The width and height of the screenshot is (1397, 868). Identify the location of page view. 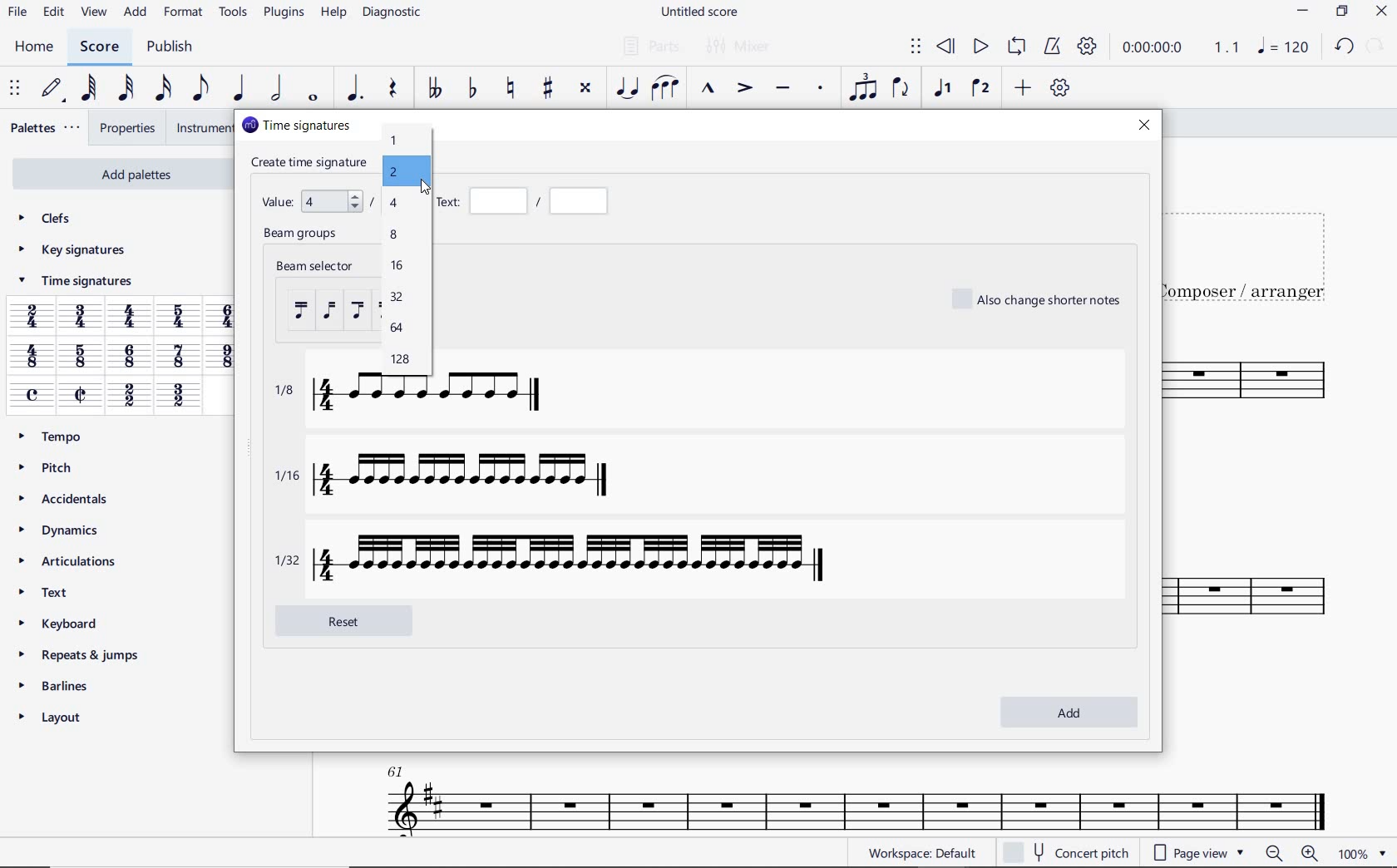
(1197, 851).